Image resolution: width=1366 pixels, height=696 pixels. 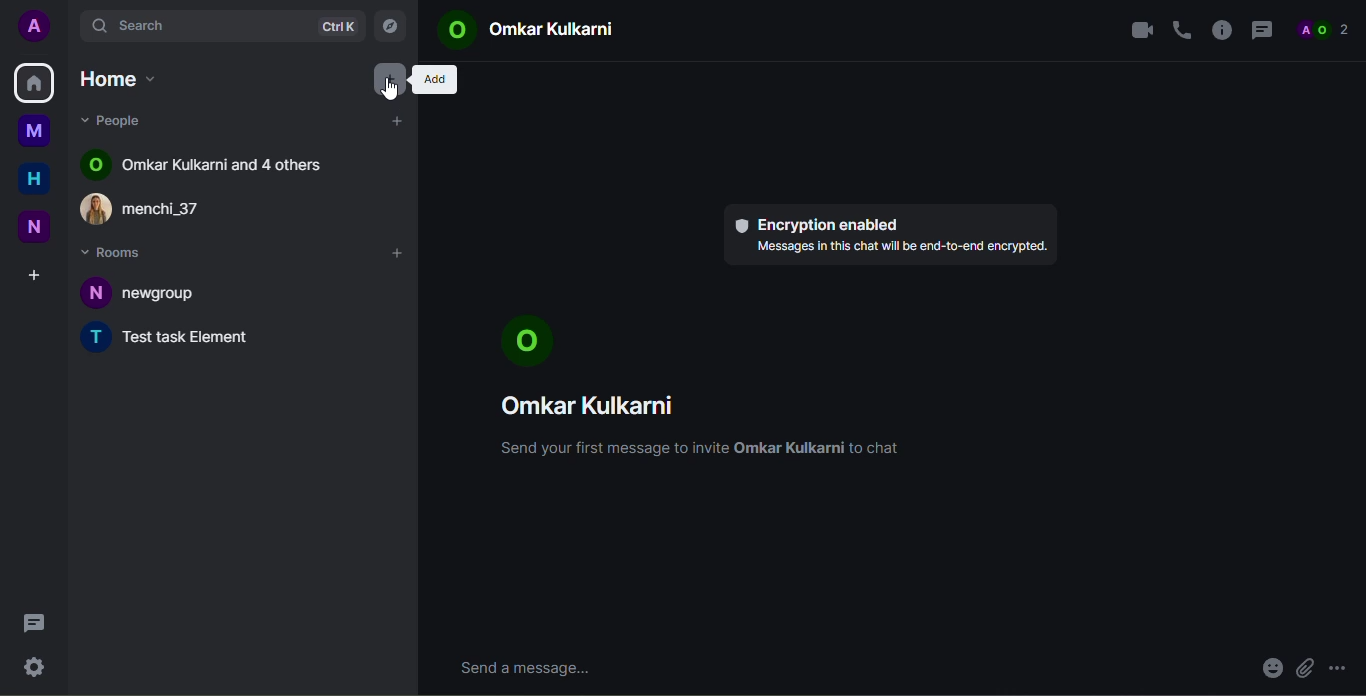 I want to click on more, so click(x=1344, y=662).